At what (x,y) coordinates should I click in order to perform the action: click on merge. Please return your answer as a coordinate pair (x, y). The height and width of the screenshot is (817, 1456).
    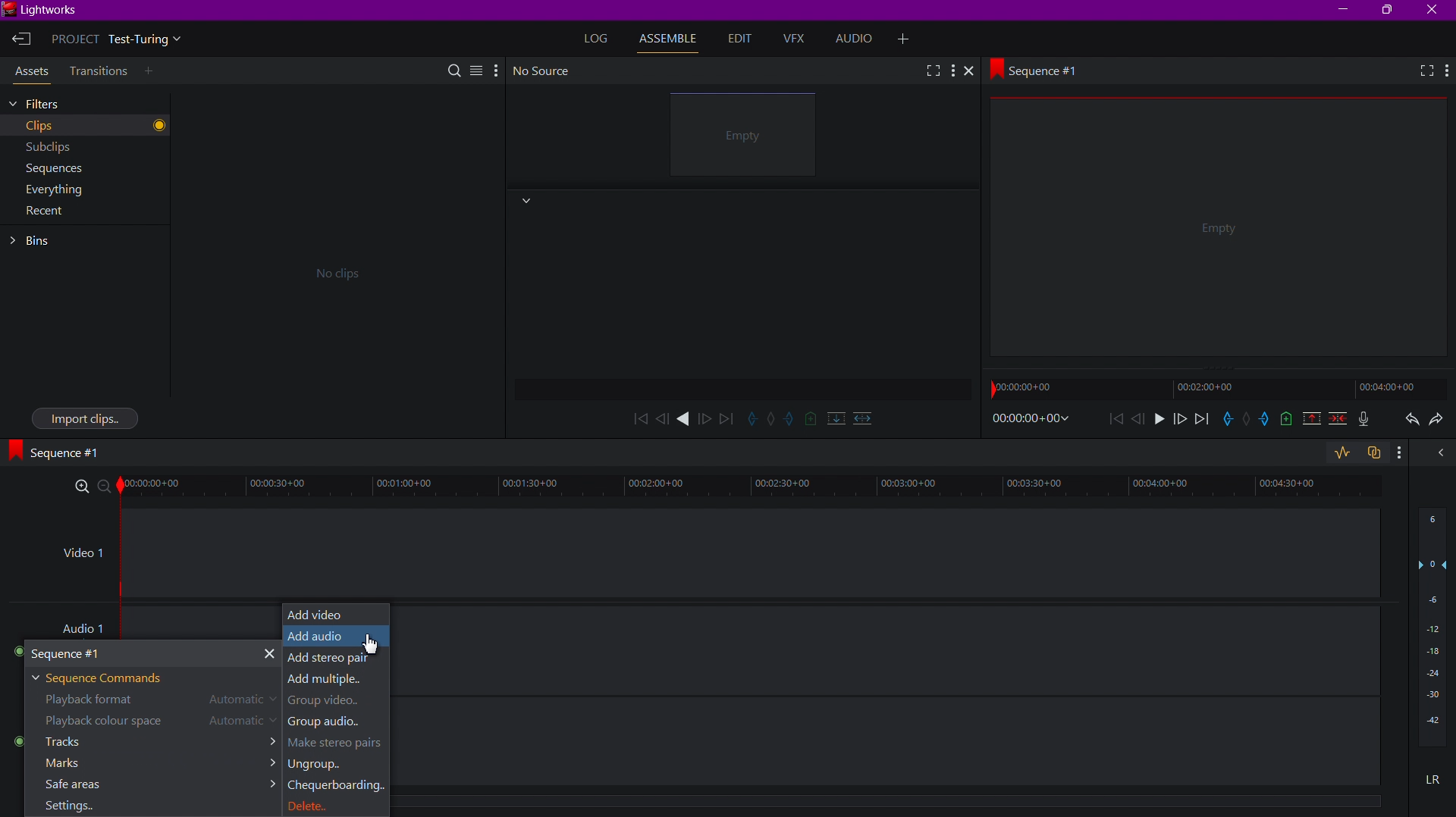
    Looking at the image, I should click on (1335, 421).